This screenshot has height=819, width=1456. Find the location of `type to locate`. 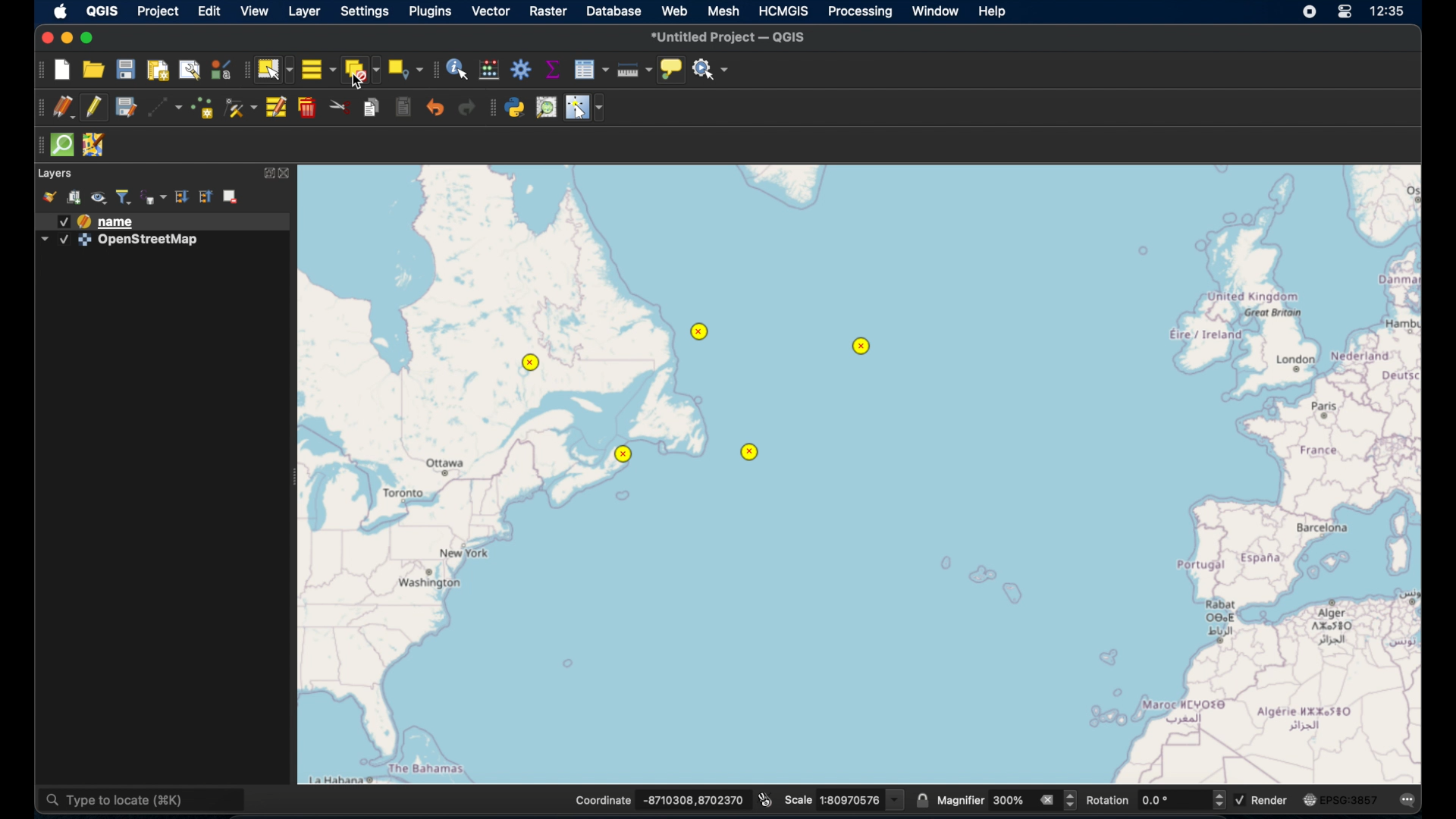

type to locate is located at coordinates (140, 801).